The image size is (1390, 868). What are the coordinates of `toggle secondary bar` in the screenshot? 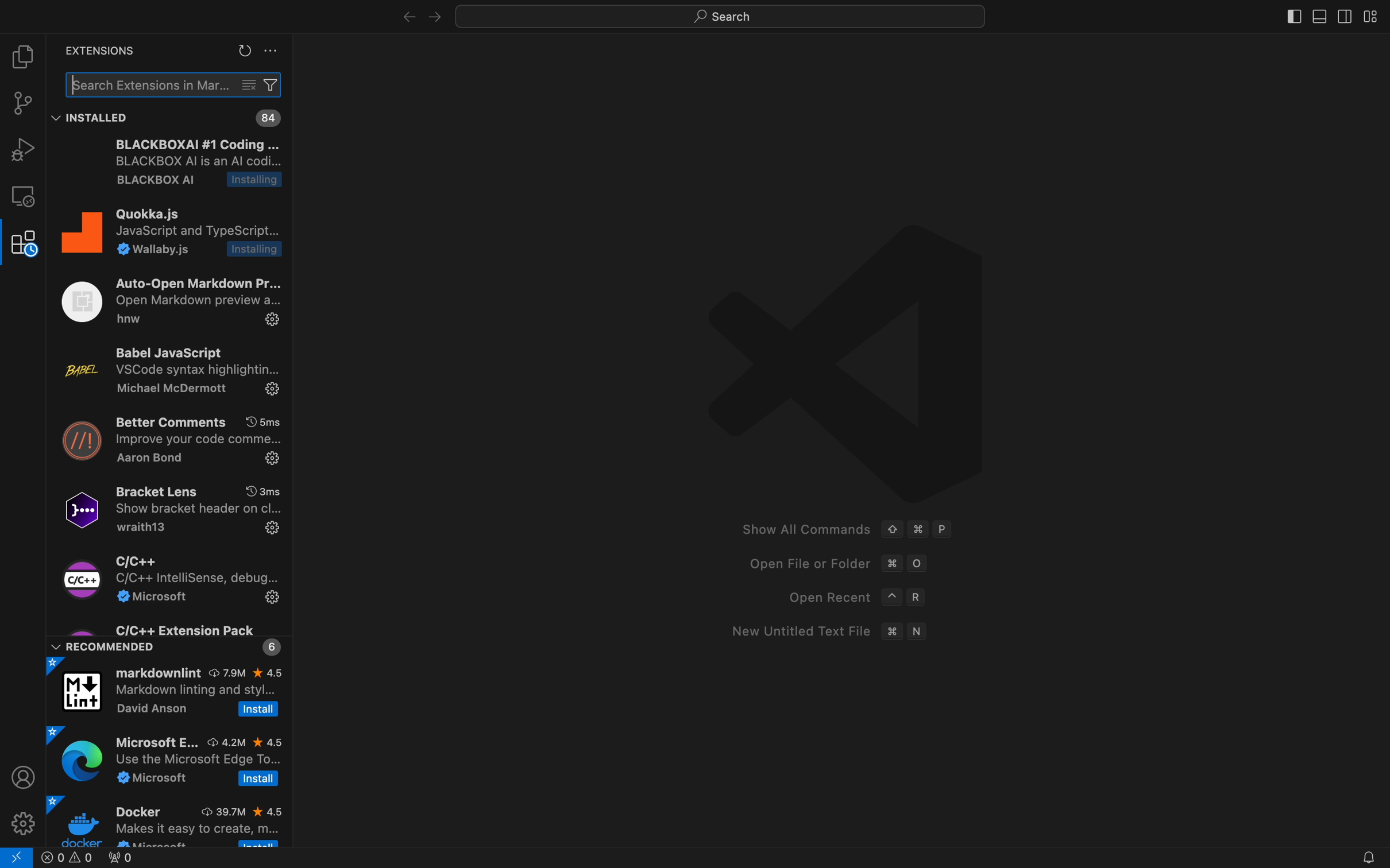 It's located at (1349, 14).